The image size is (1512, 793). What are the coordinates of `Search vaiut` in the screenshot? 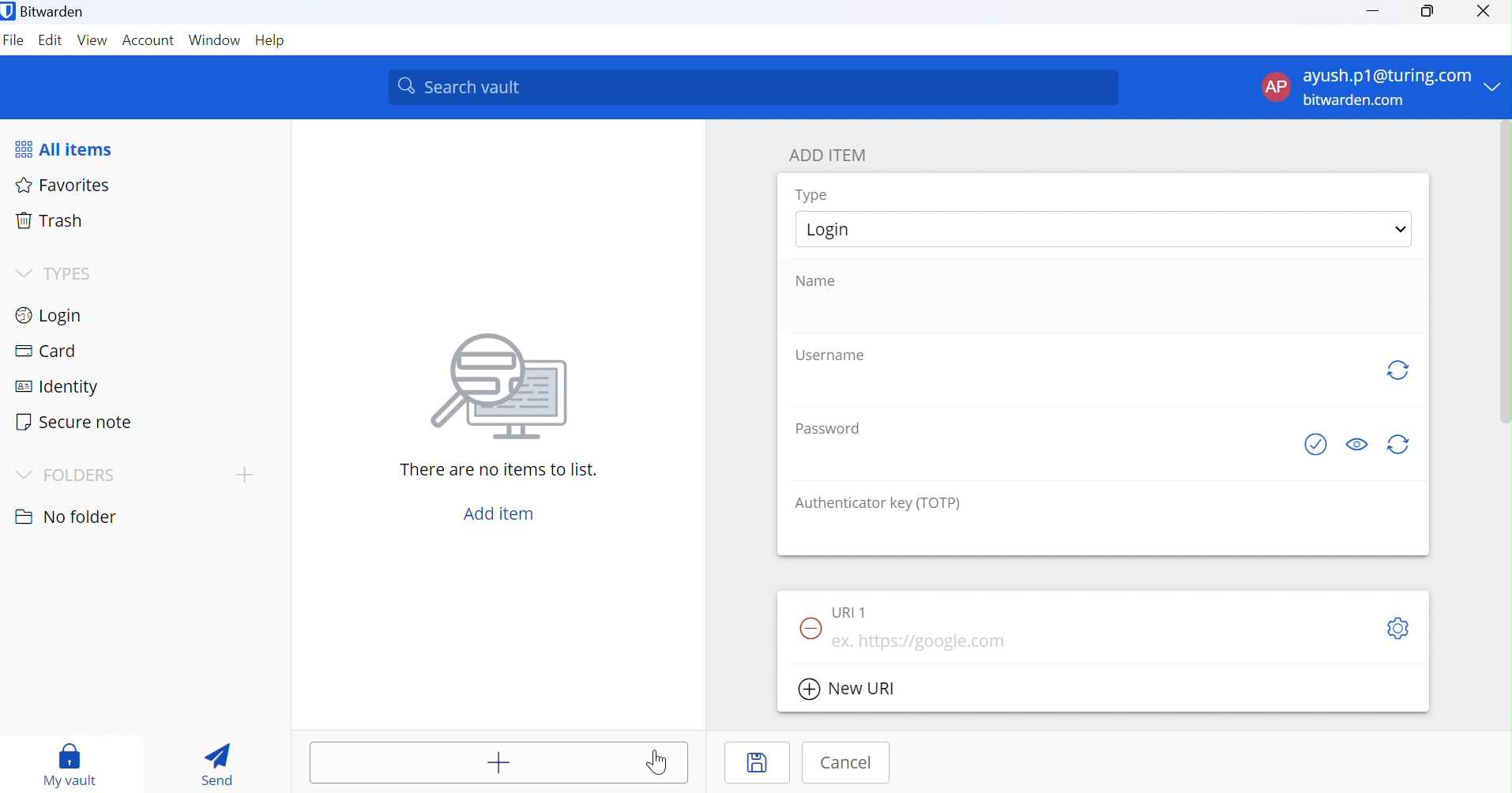 It's located at (754, 88).